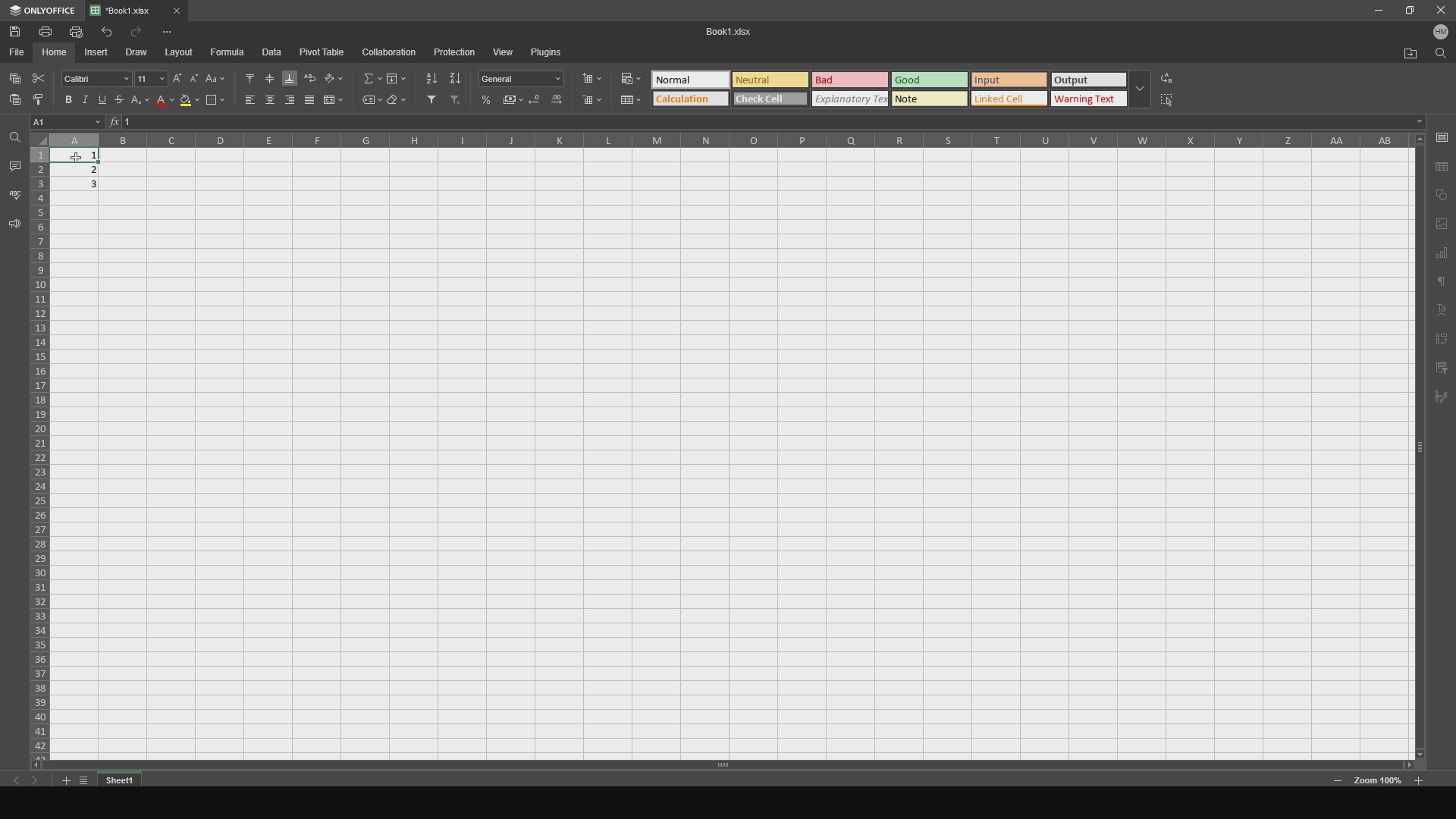  Describe the element at coordinates (124, 103) in the screenshot. I see `stricktrough` at that location.